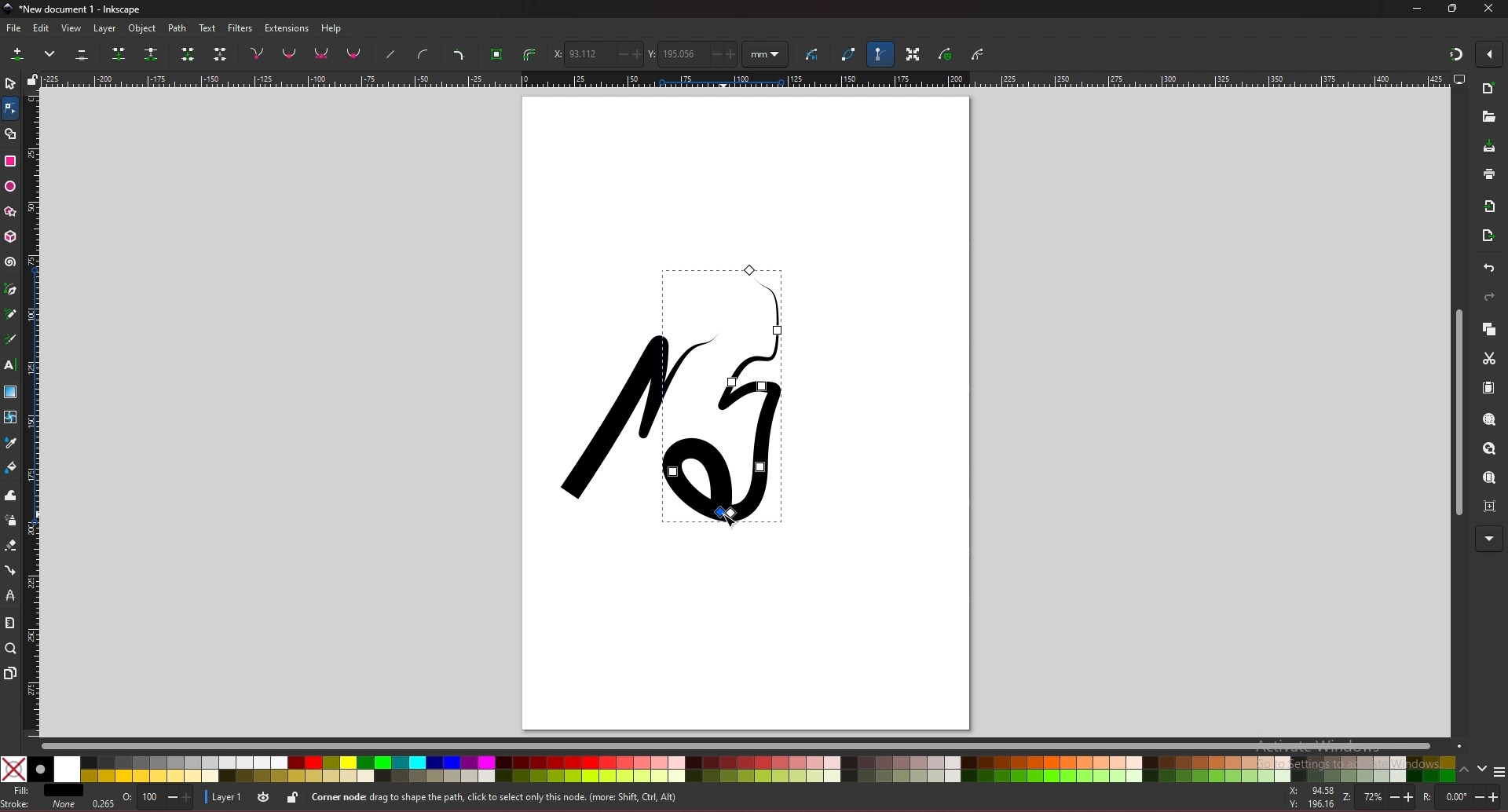  Describe the element at coordinates (1488, 539) in the screenshot. I see `more` at that location.